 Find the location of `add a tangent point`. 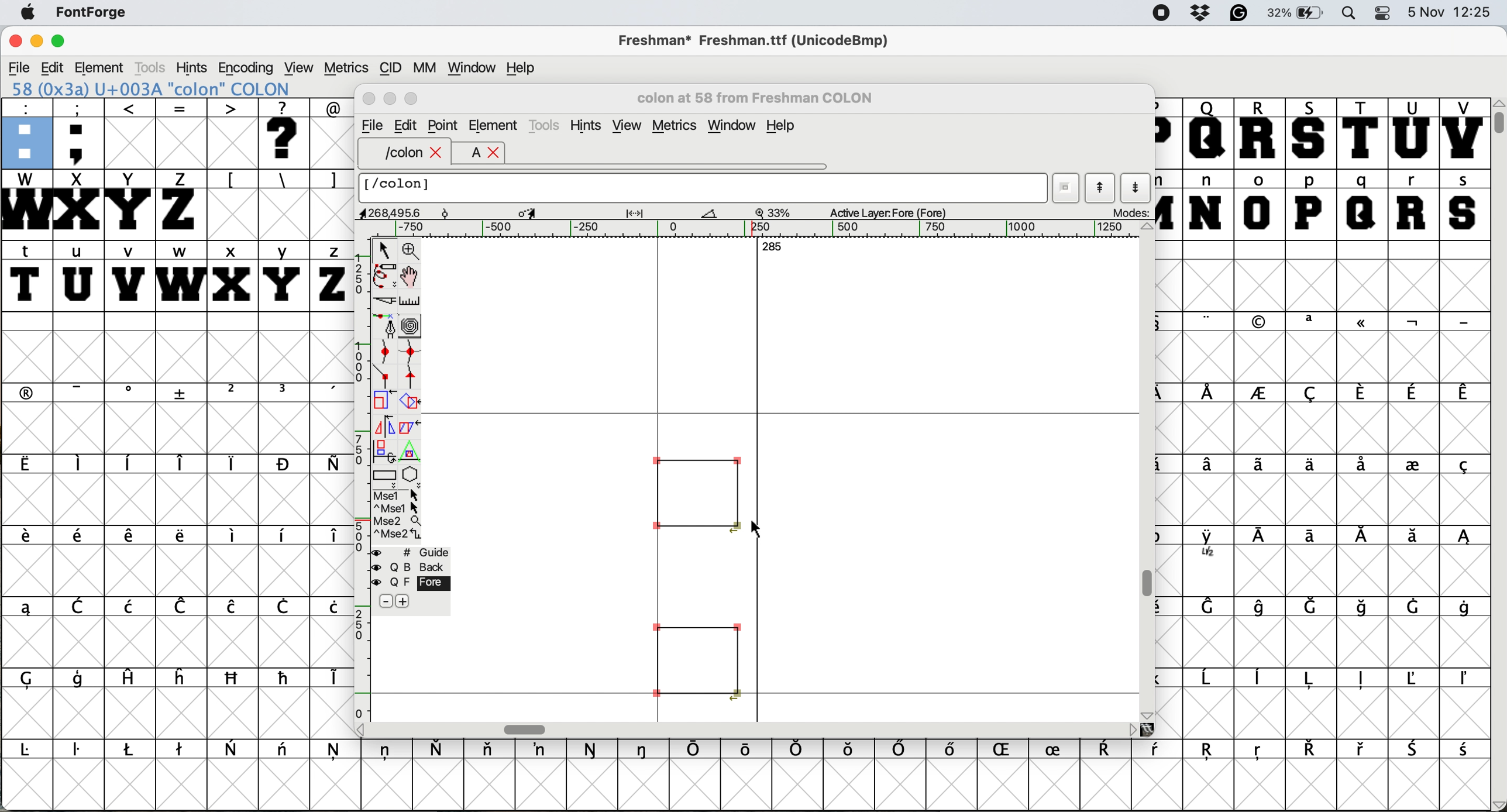

add a tangent point is located at coordinates (414, 376).